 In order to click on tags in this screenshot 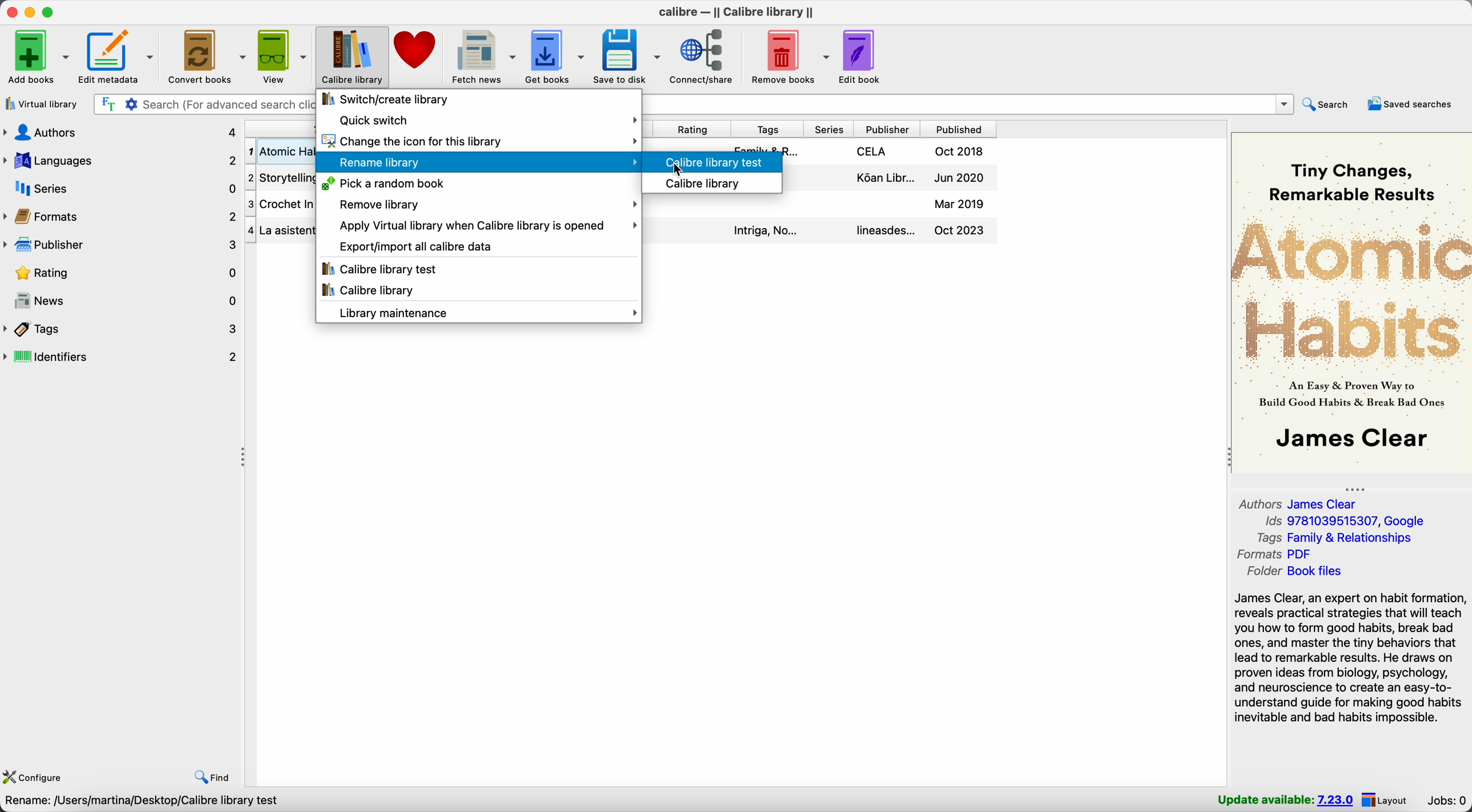, I will do `click(122, 330)`.